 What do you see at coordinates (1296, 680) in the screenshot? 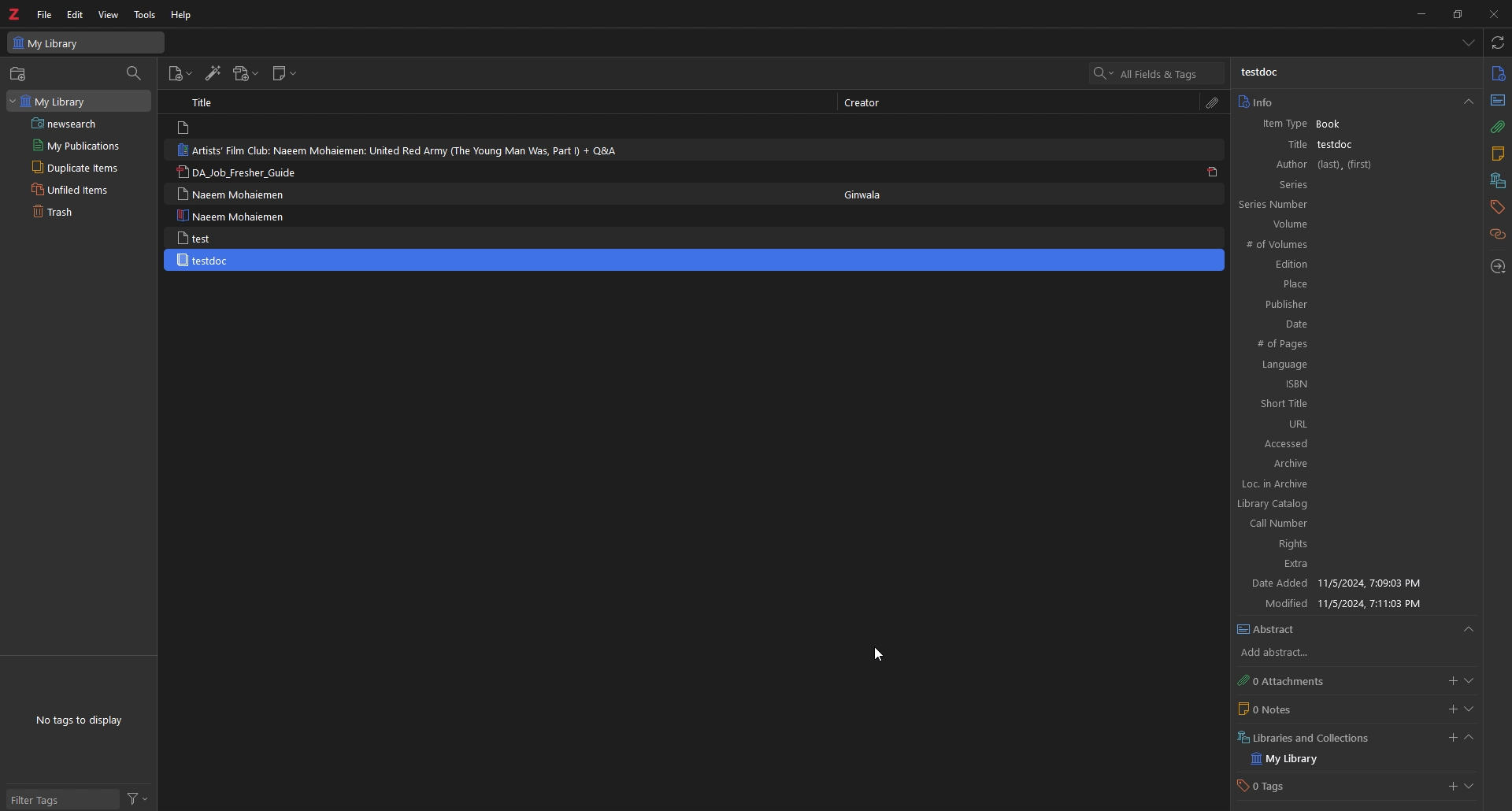
I see `0 Attachments` at bounding box center [1296, 680].